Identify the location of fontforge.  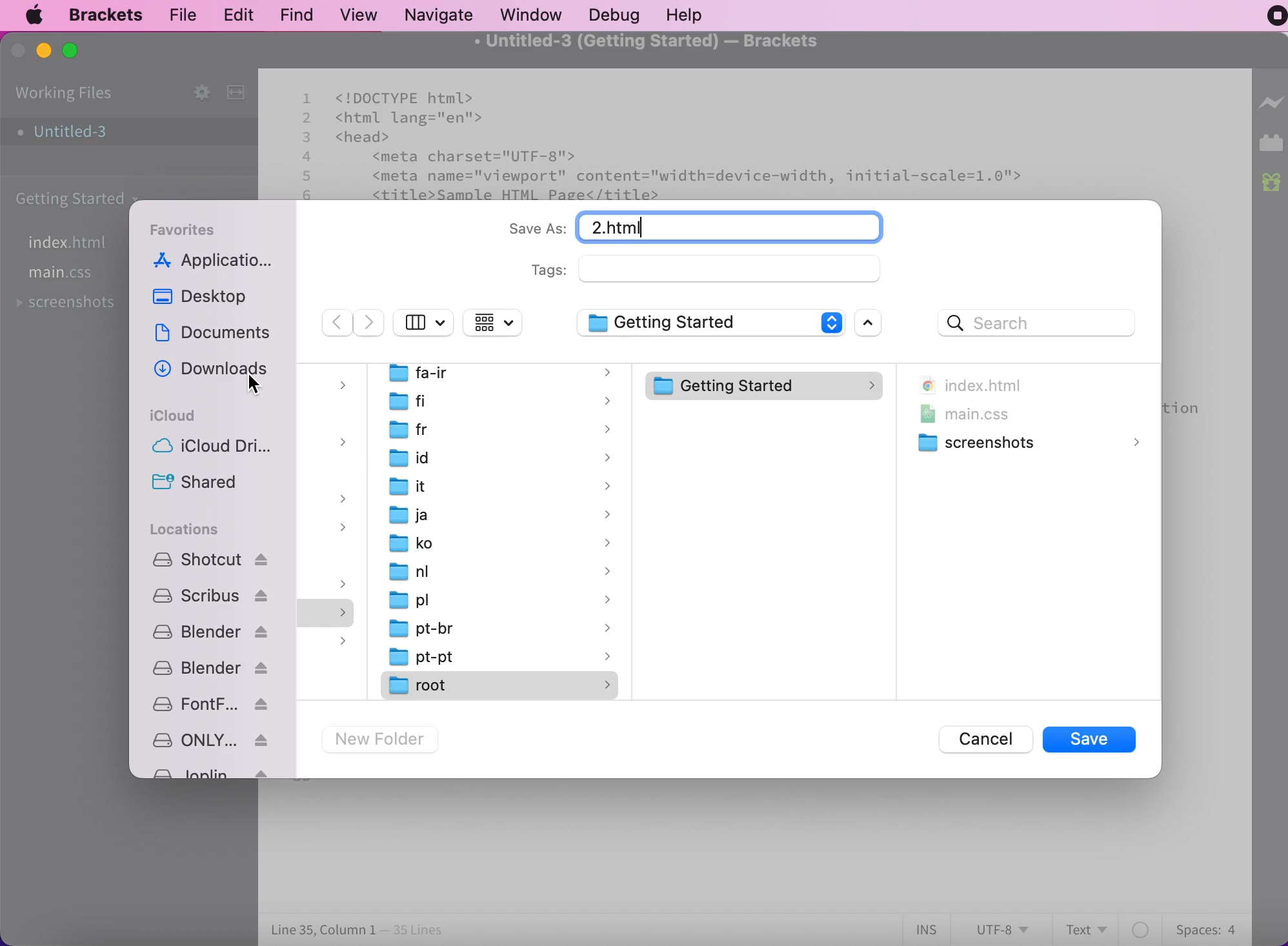
(211, 705).